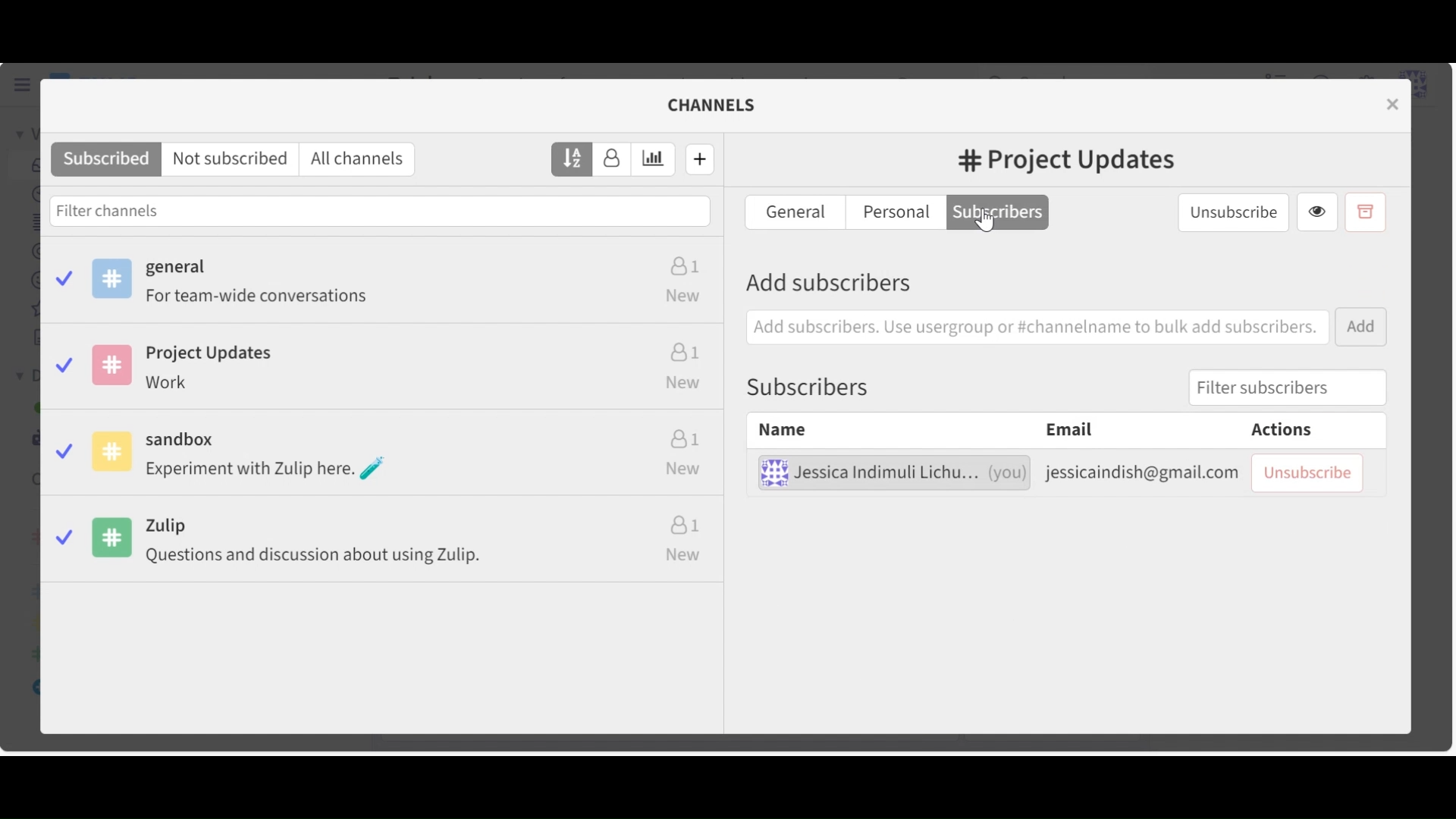 The width and height of the screenshot is (1456, 819). What do you see at coordinates (1366, 212) in the screenshot?
I see `Archive channel` at bounding box center [1366, 212].